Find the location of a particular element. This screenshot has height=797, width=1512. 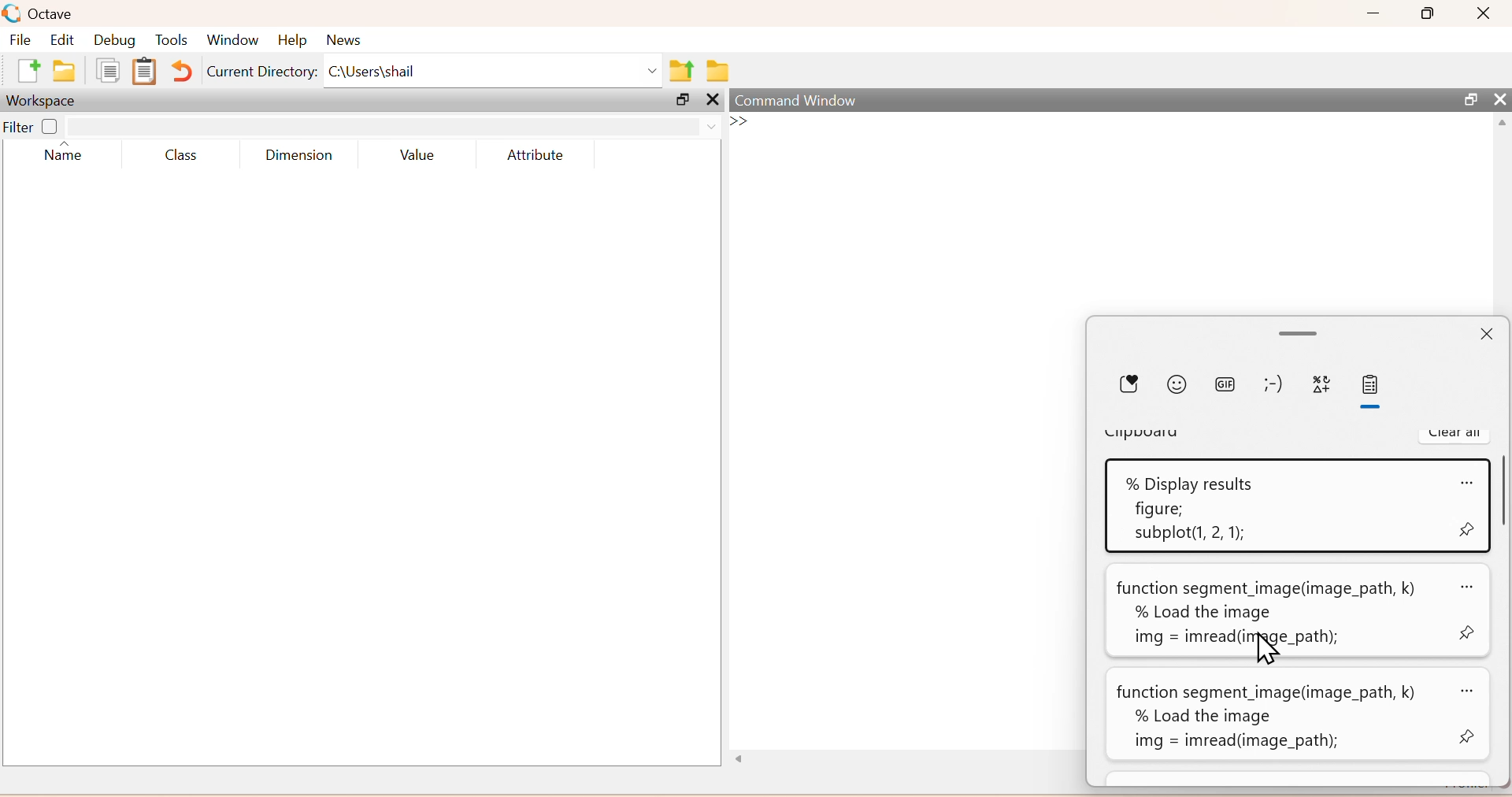

Minimize is located at coordinates (1299, 332).